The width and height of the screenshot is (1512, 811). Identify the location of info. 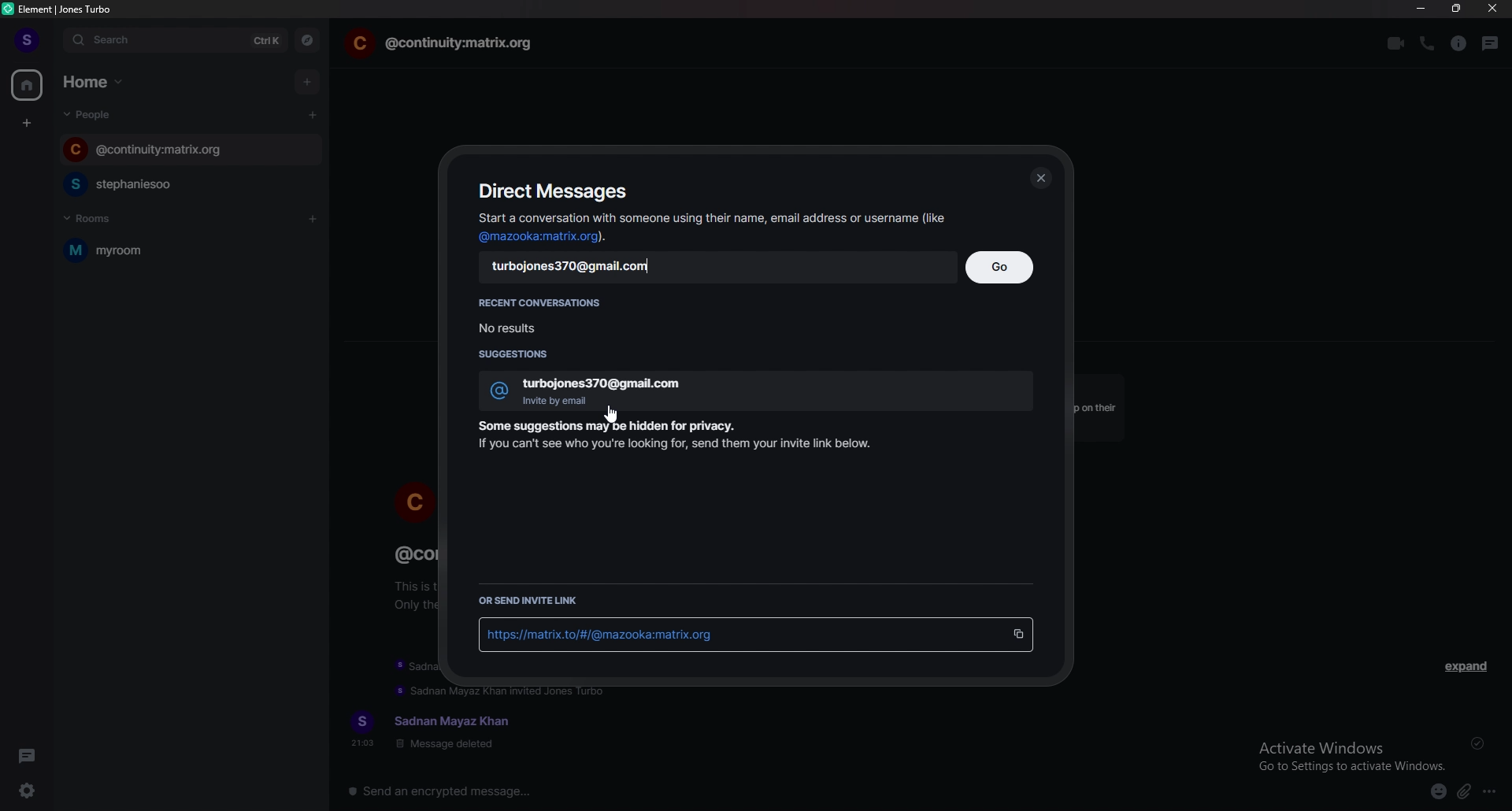
(681, 437).